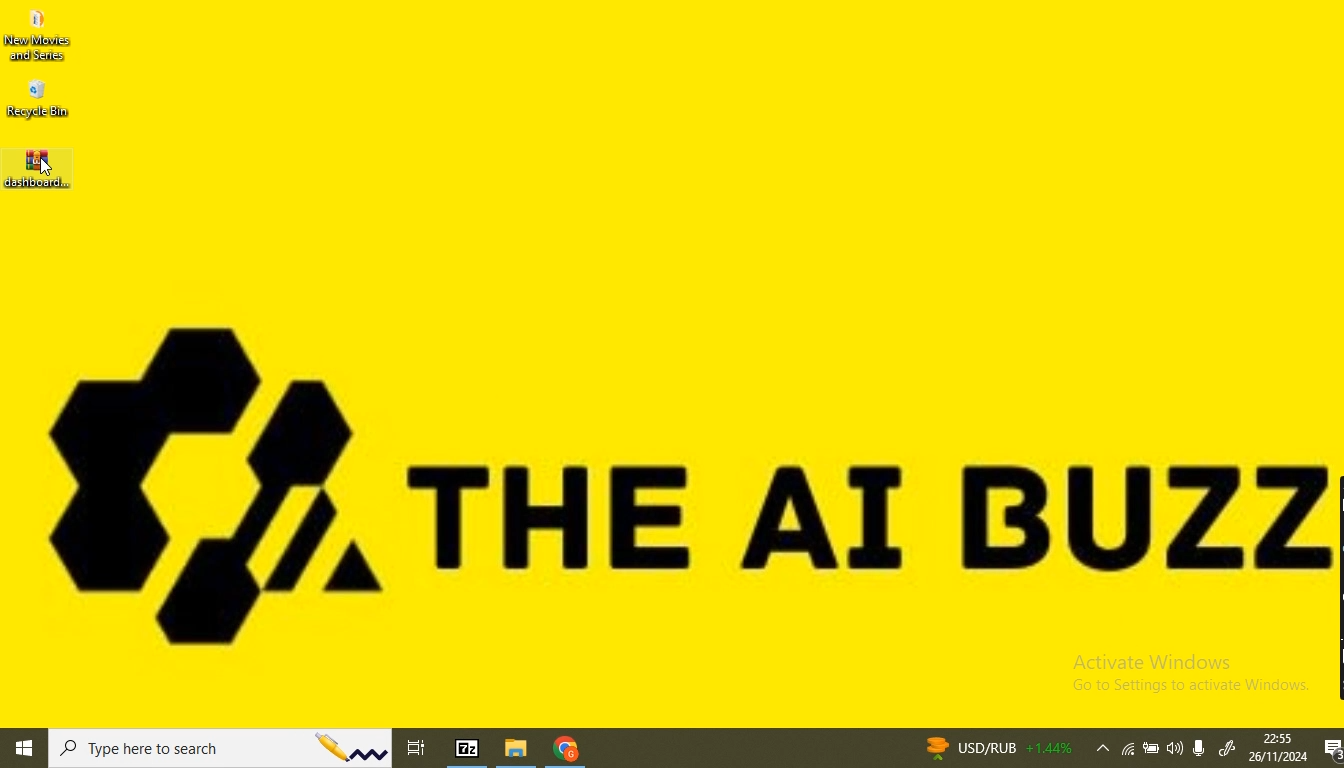  What do you see at coordinates (39, 100) in the screenshot?
I see `recycle bin` at bounding box center [39, 100].